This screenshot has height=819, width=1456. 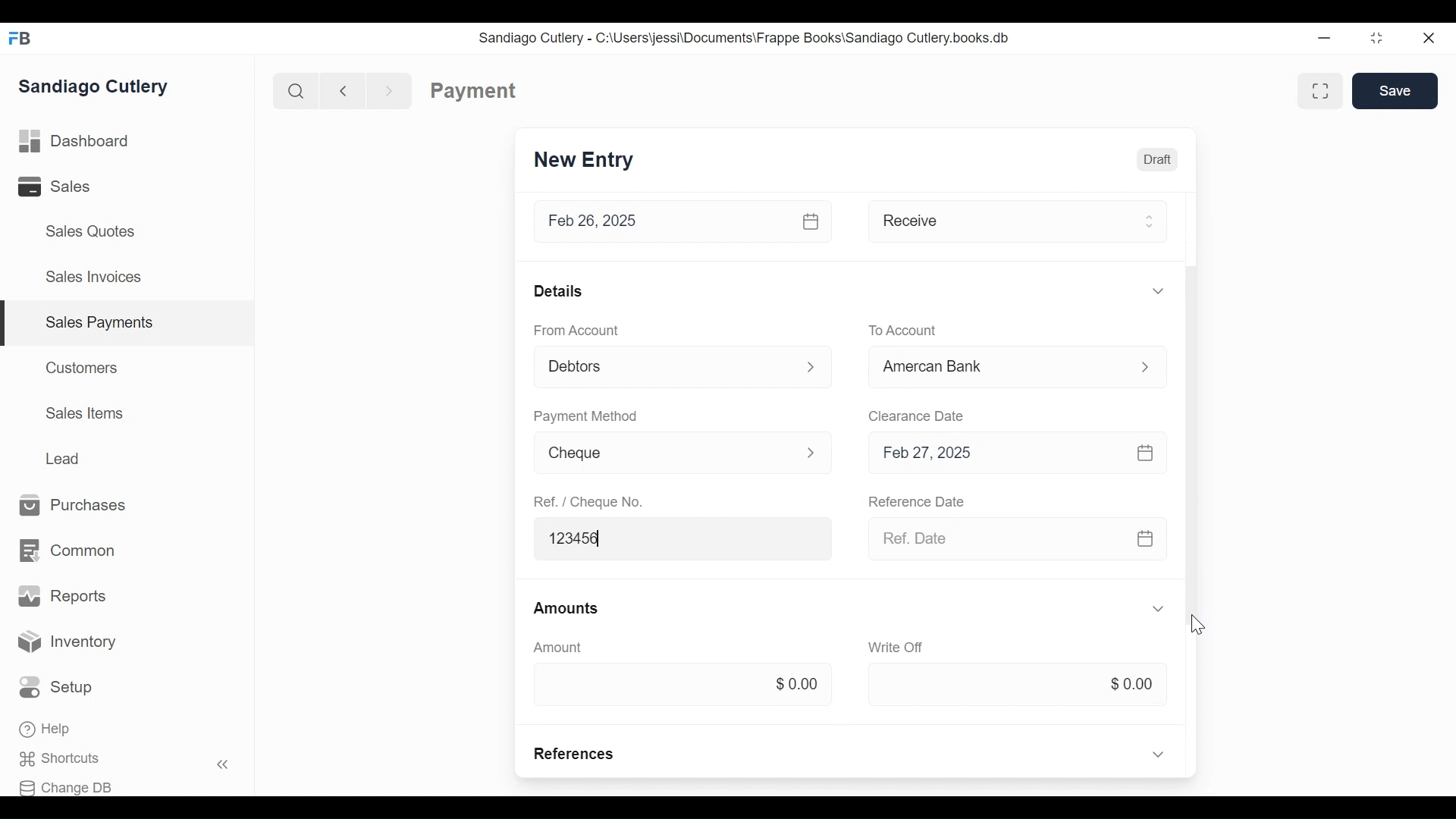 What do you see at coordinates (1326, 88) in the screenshot?
I see `Toggle form and full width ` at bounding box center [1326, 88].